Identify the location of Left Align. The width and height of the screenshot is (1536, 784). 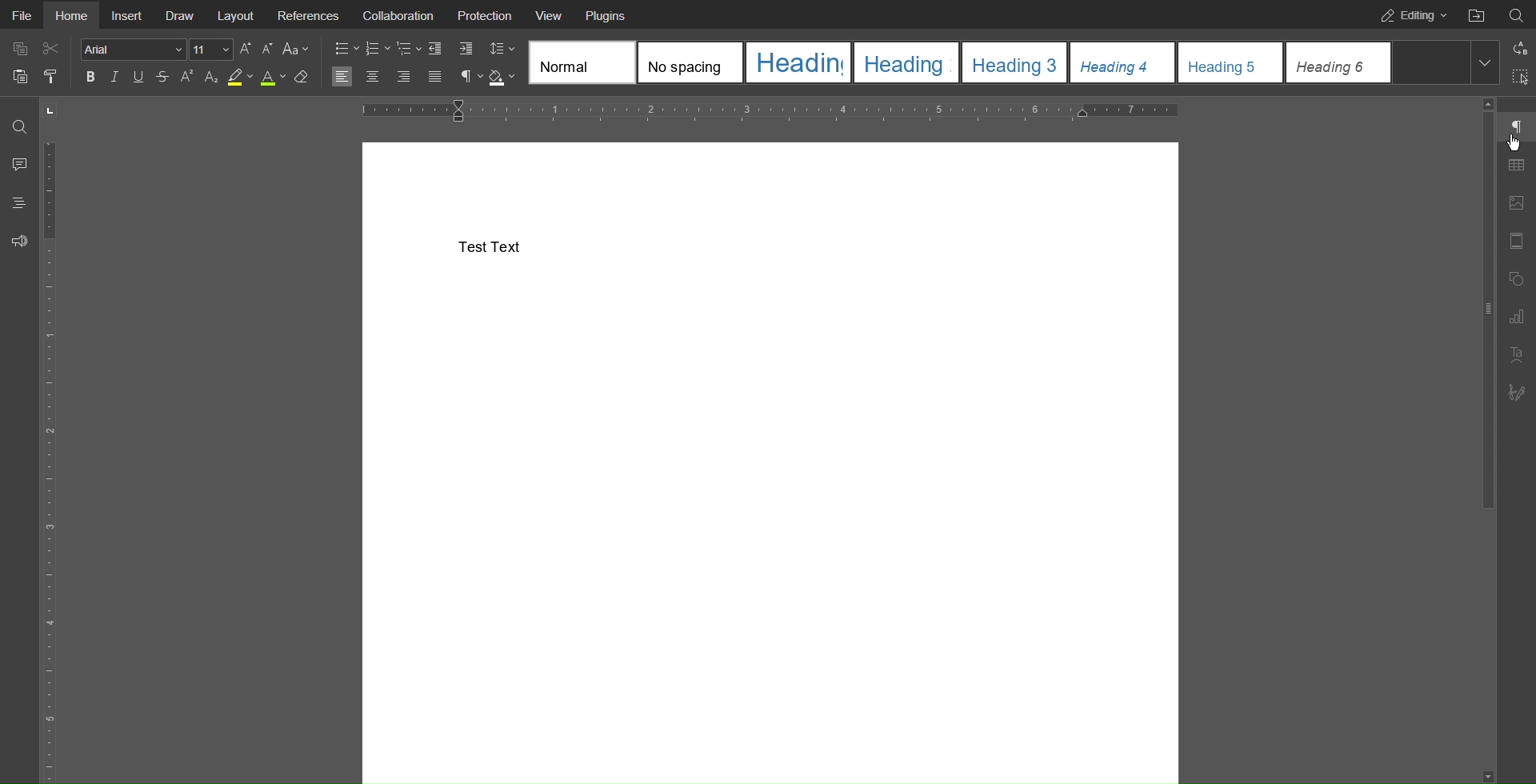
(342, 78).